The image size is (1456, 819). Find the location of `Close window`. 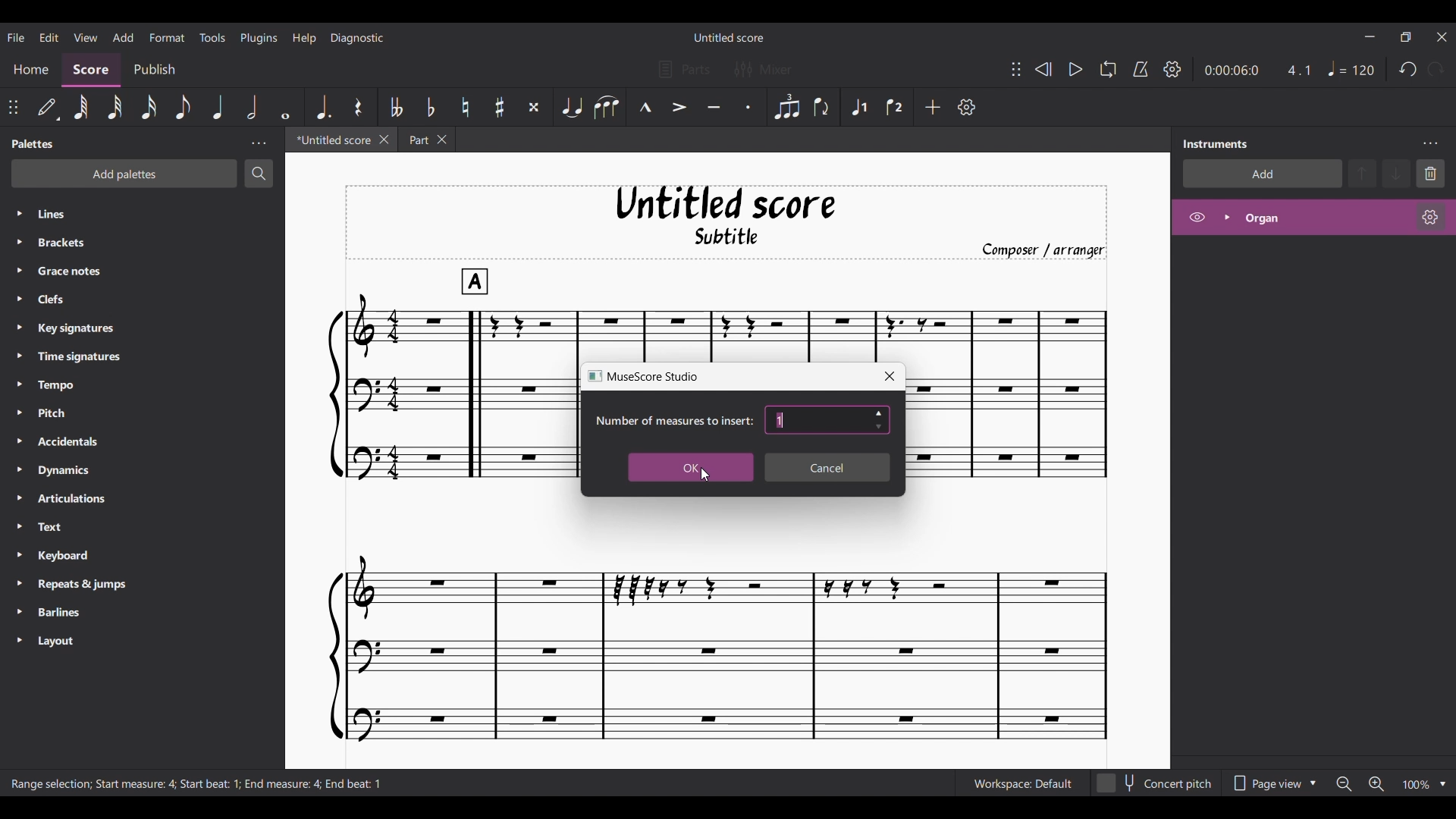

Close window is located at coordinates (890, 376).